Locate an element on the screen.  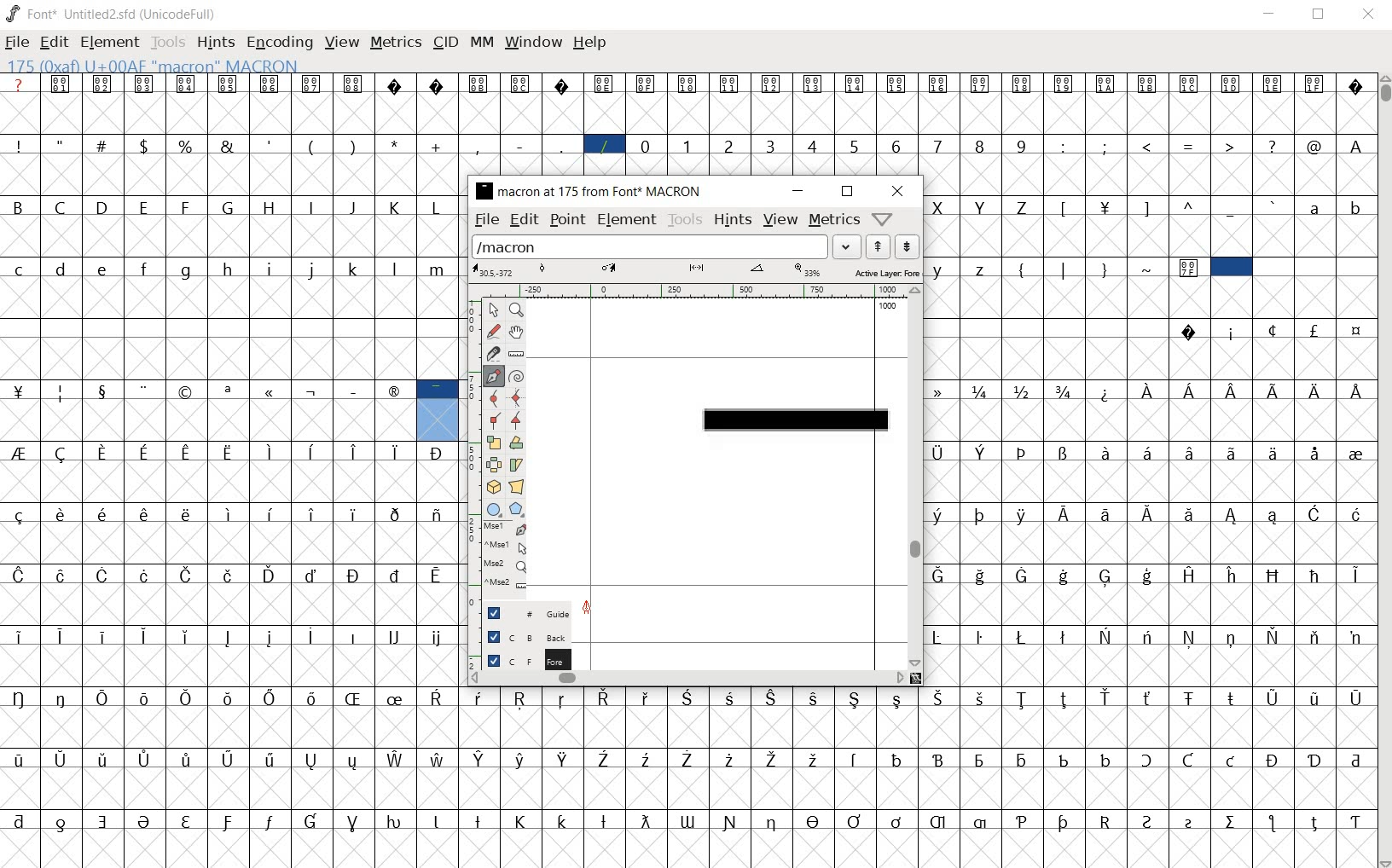
6 is located at coordinates (897, 146).